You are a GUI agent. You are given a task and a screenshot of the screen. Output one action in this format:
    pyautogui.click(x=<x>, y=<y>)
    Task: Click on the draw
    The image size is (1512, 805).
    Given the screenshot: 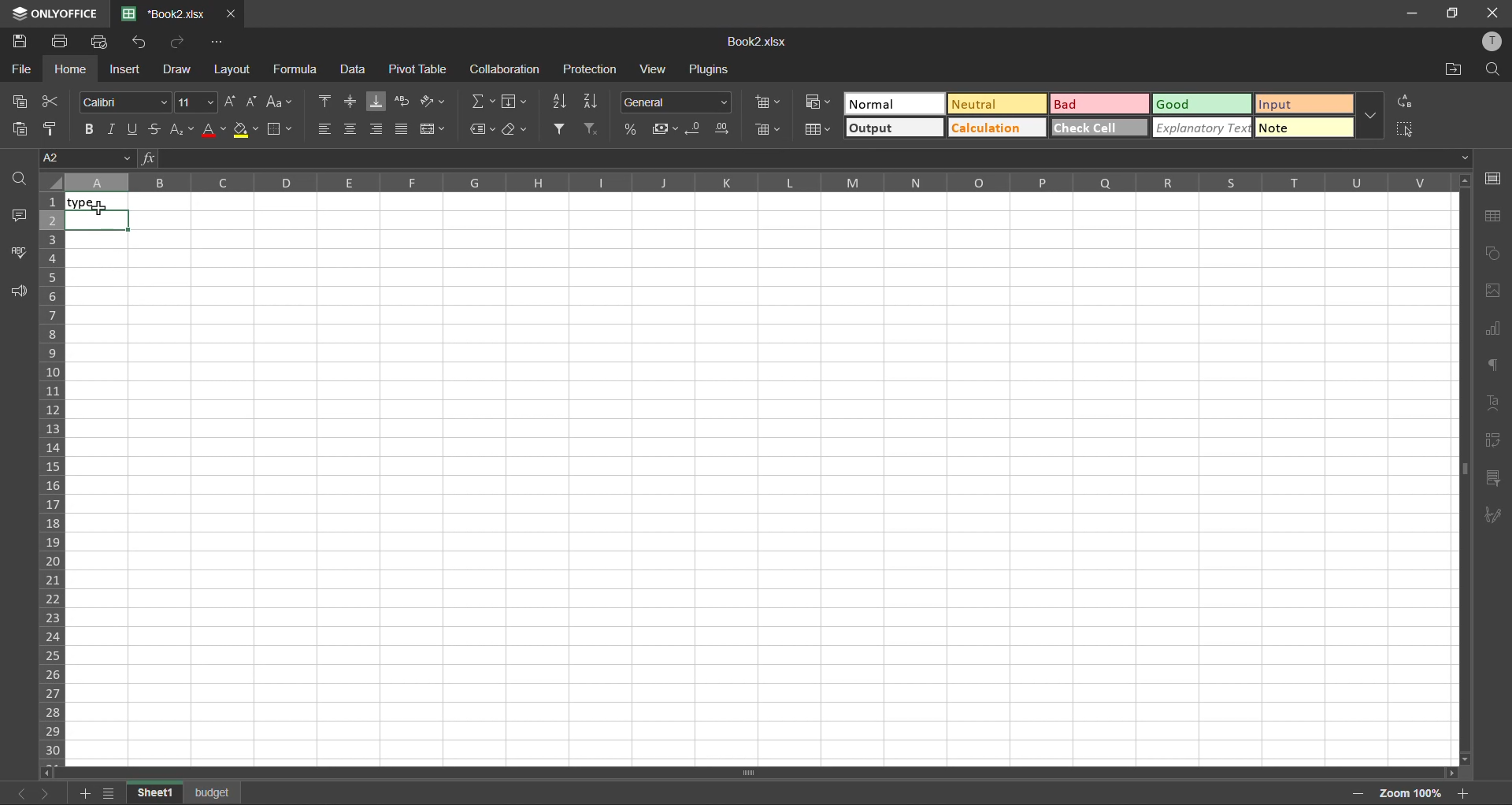 What is the action you would take?
    pyautogui.click(x=179, y=70)
    